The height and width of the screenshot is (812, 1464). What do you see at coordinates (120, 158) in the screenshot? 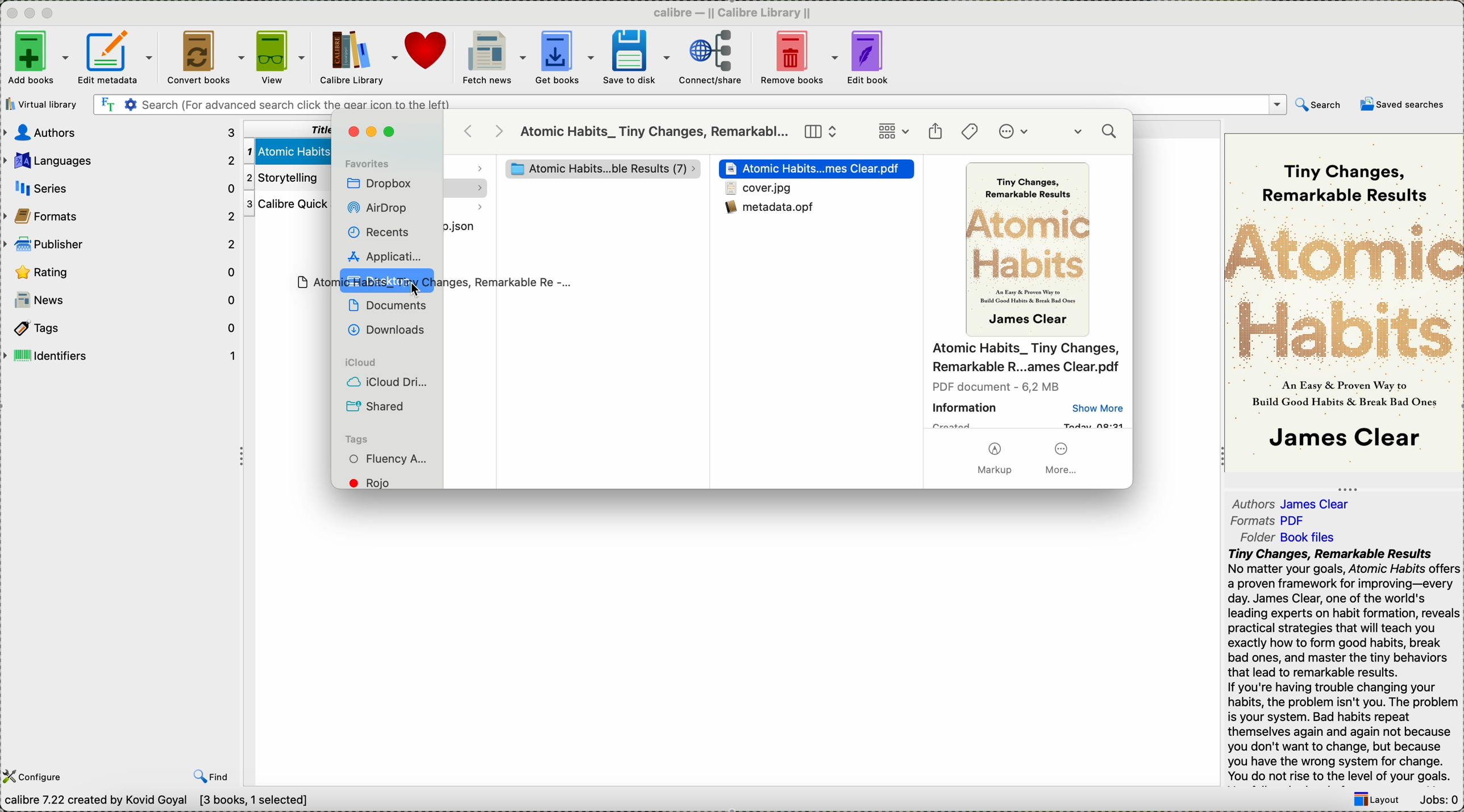
I see `languages` at bounding box center [120, 158].